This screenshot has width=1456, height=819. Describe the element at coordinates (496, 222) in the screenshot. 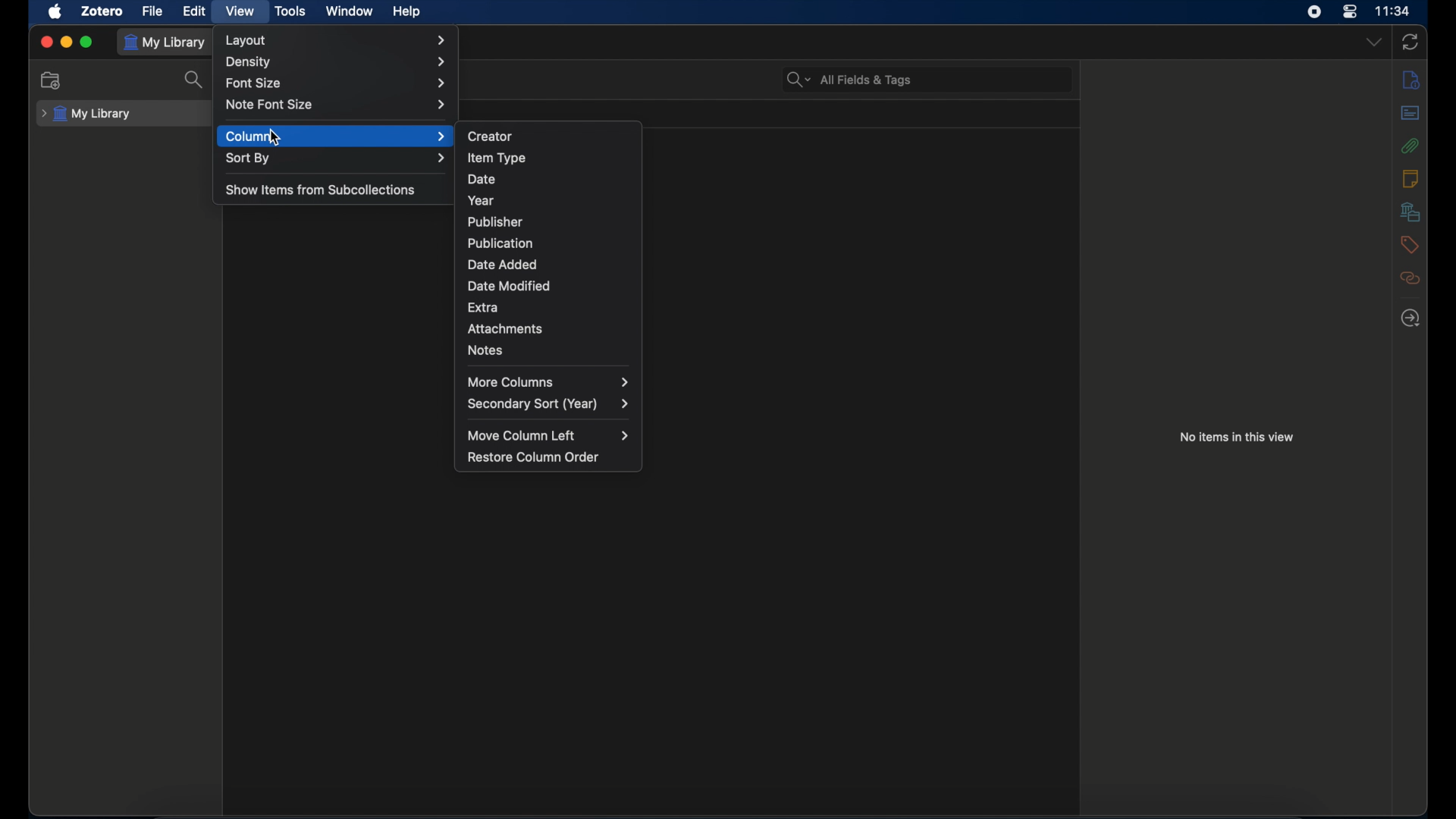

I see `publisher` at that location.